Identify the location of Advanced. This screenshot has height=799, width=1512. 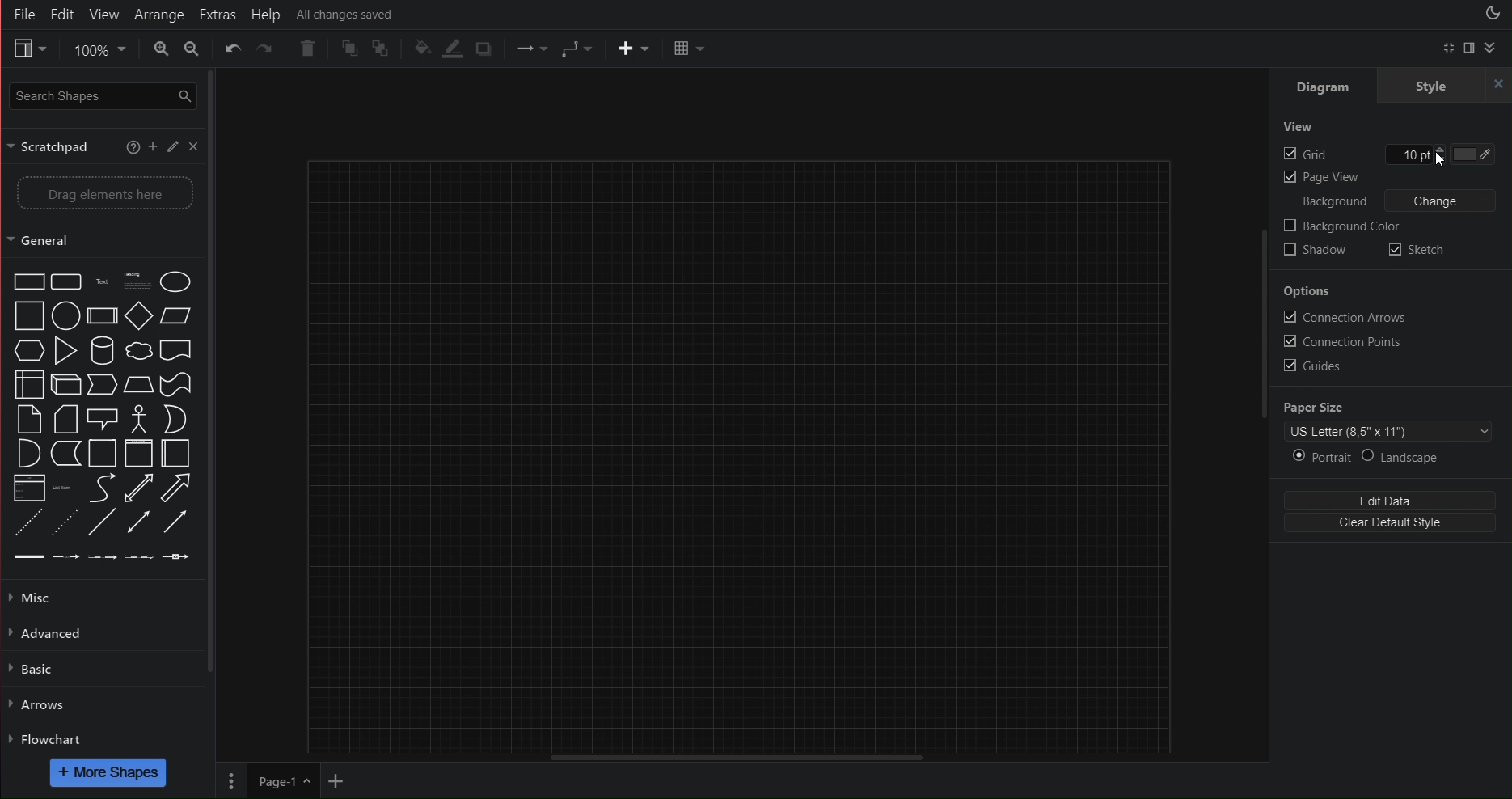
(54, 631).